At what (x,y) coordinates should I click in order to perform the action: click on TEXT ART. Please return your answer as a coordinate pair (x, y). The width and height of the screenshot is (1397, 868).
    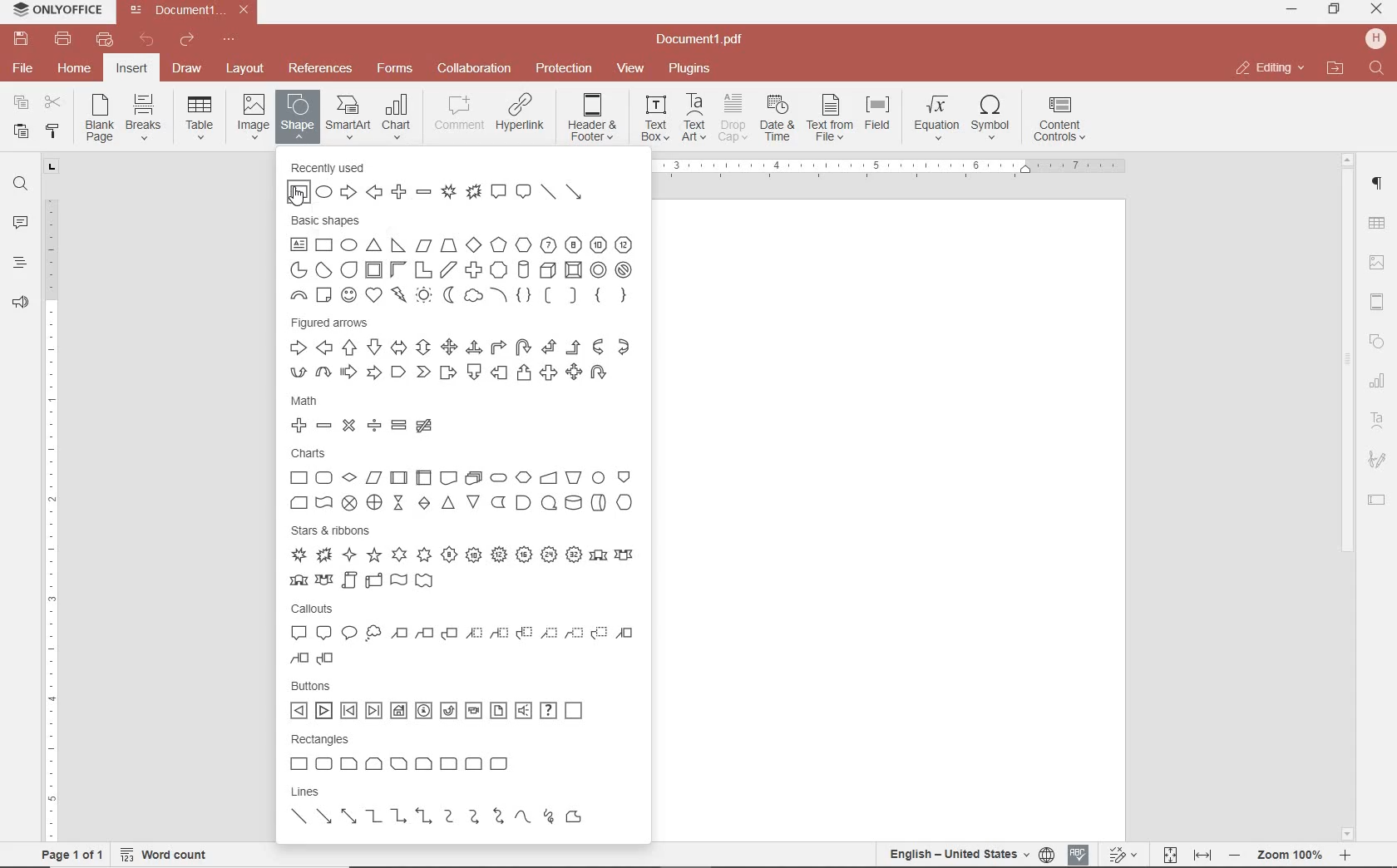
    Looking at the image, I should click on (1378, 422).